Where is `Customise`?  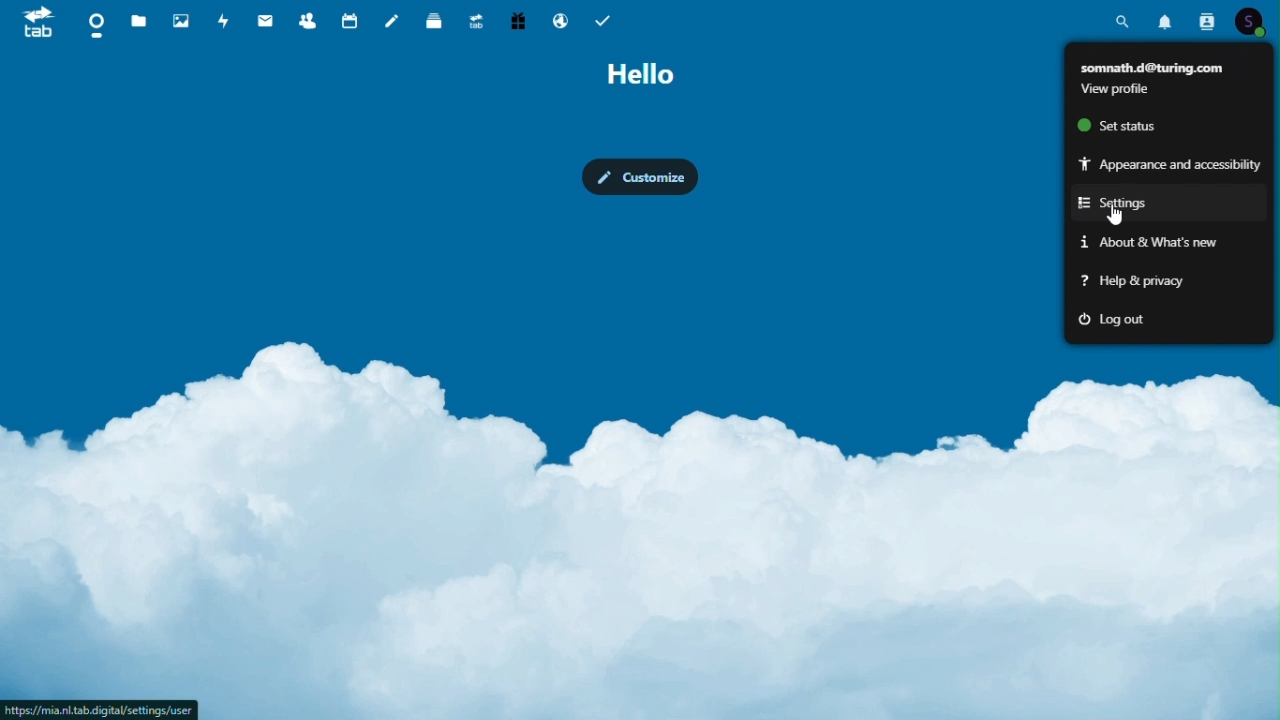
Customise is located at coordinates (640, 179).